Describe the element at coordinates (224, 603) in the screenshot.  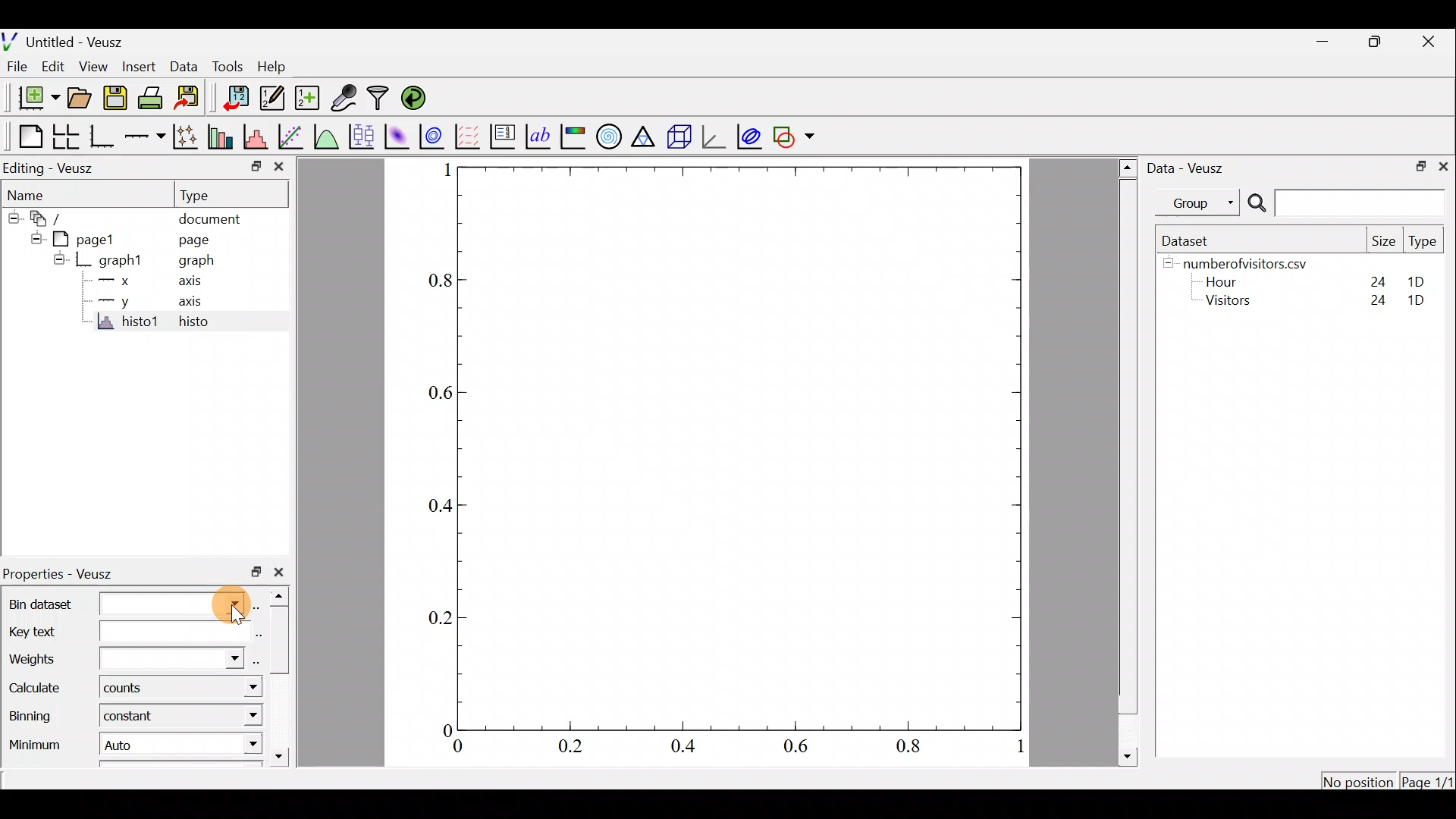
I see `Cursor` at that location.